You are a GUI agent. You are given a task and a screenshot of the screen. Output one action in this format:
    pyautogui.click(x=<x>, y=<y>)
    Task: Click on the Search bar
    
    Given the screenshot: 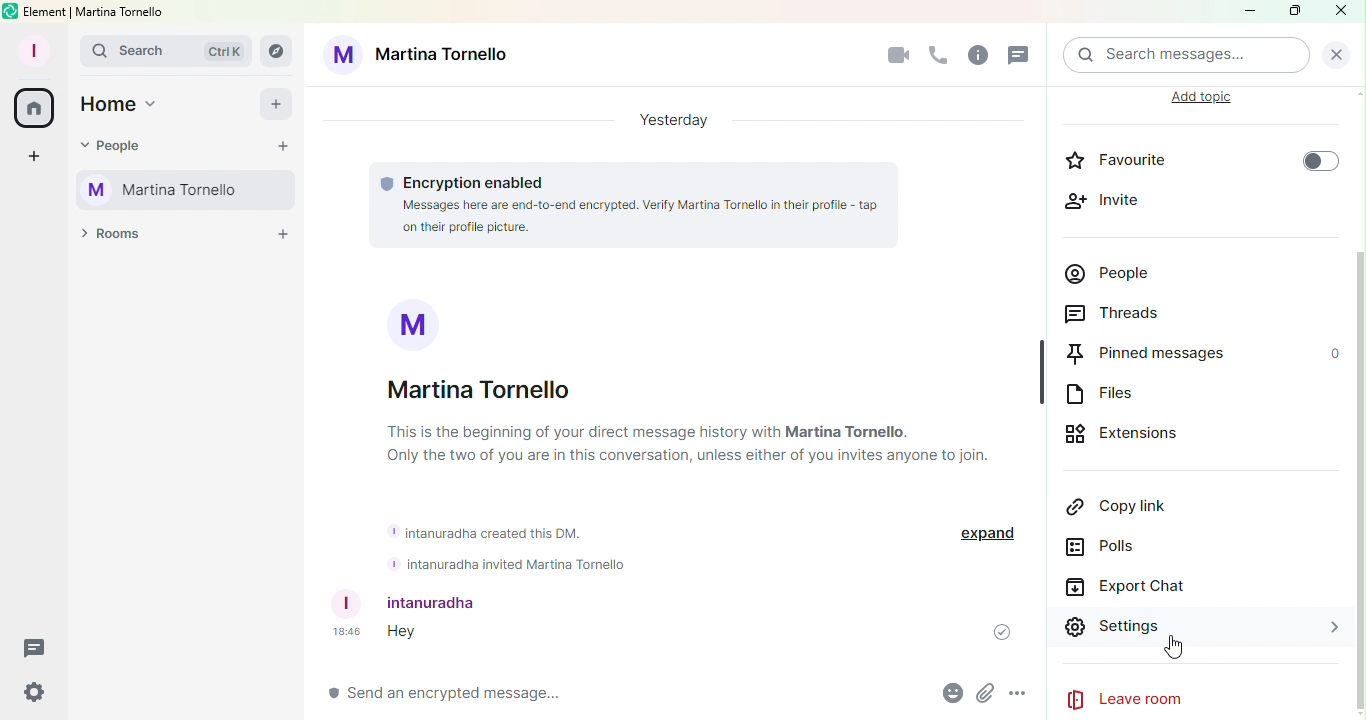 What is the action you would take?
    pyautogui.click(x=1179, y=56)
    